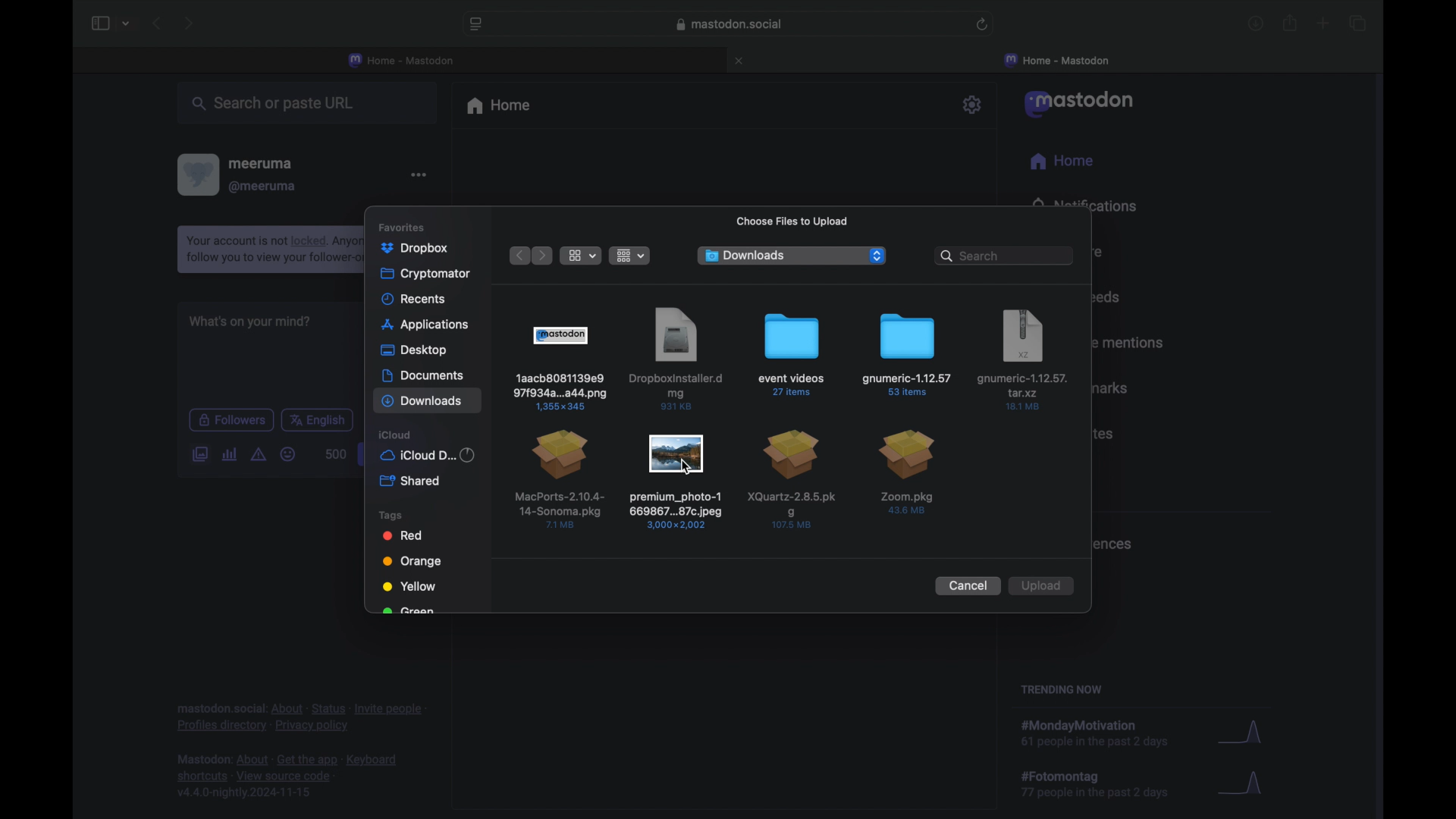 The width and height of the screenshot is (1456, 819). Describe the element at coordinates (1061, 689) in the screenshot. I see `trending now` at that location.